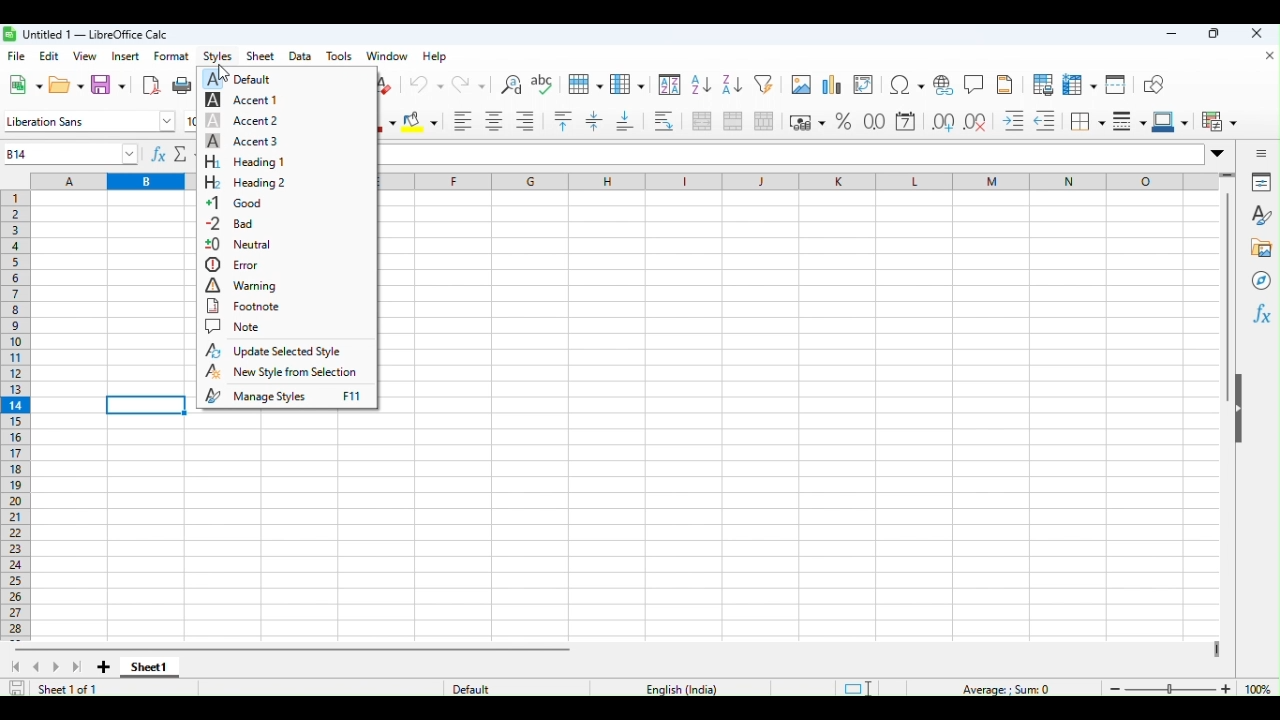 The width and height of the screenshot is (1280, 720). I want to click on Sort ascending, so click(699, 85).